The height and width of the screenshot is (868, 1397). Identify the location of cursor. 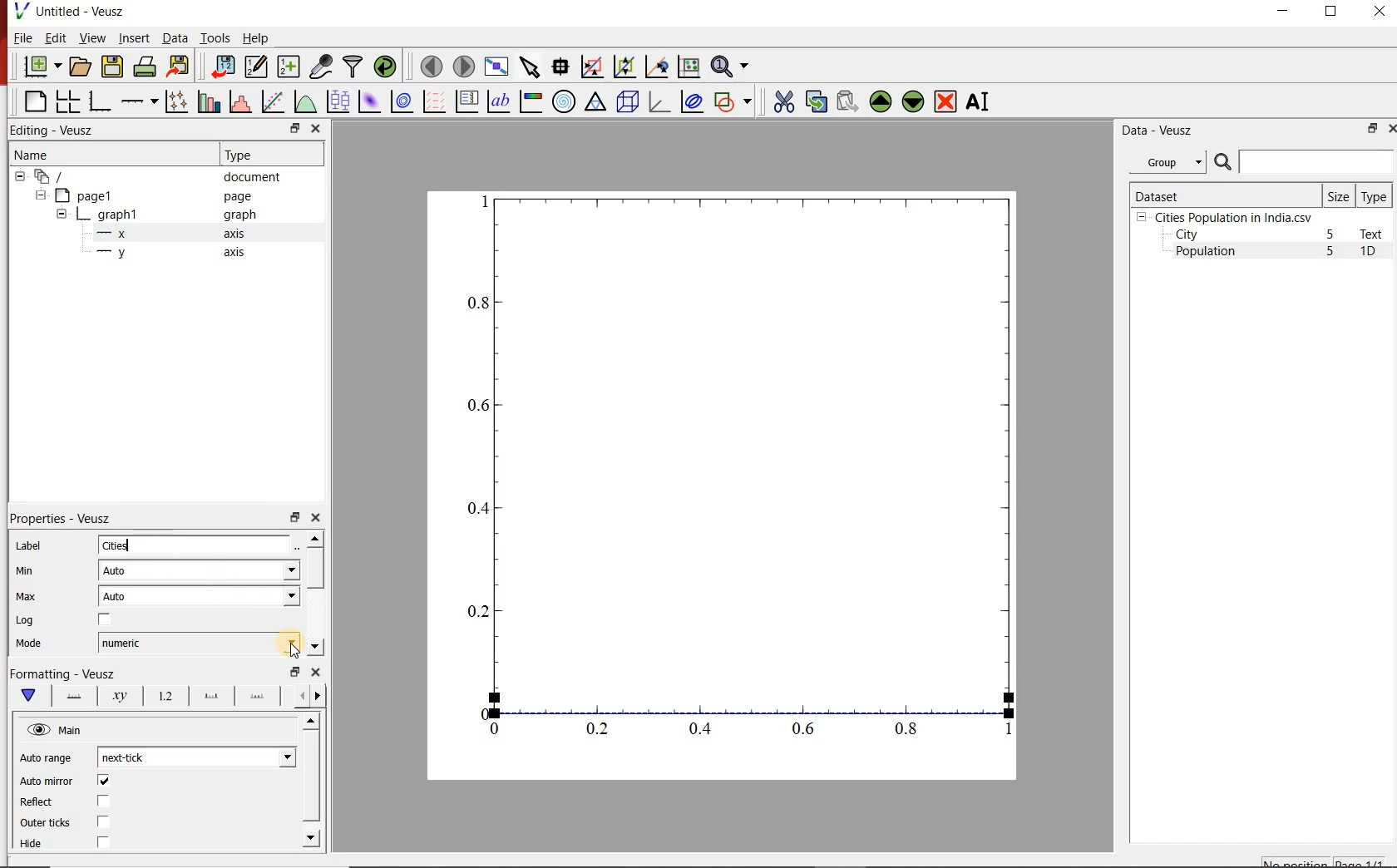
(292, 645).